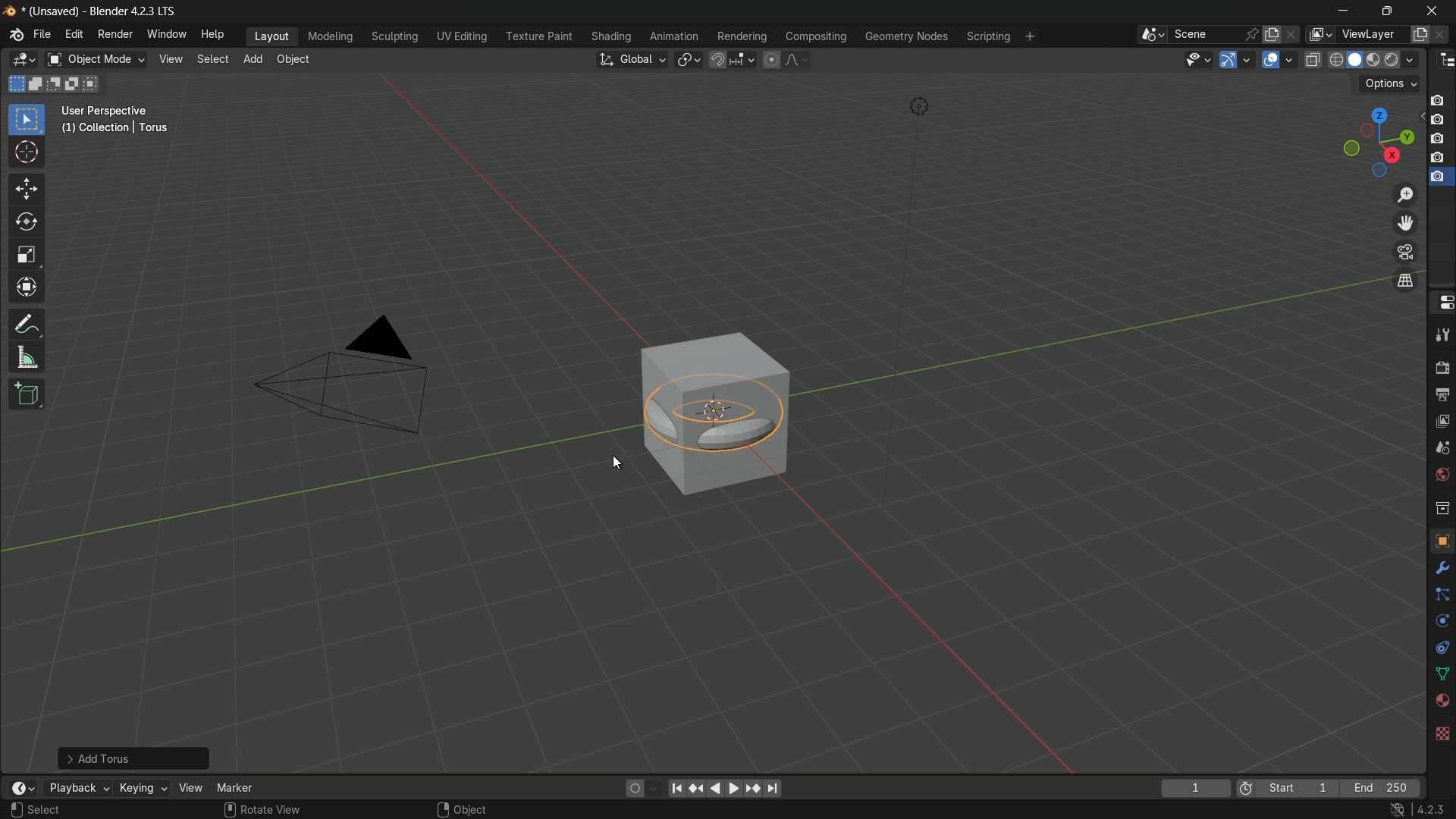 Image resolution: width=1456 pixels, height=819 pixels. Describe the element at coordinates (731, 59) in the screenshot. I see `snap` at that location.